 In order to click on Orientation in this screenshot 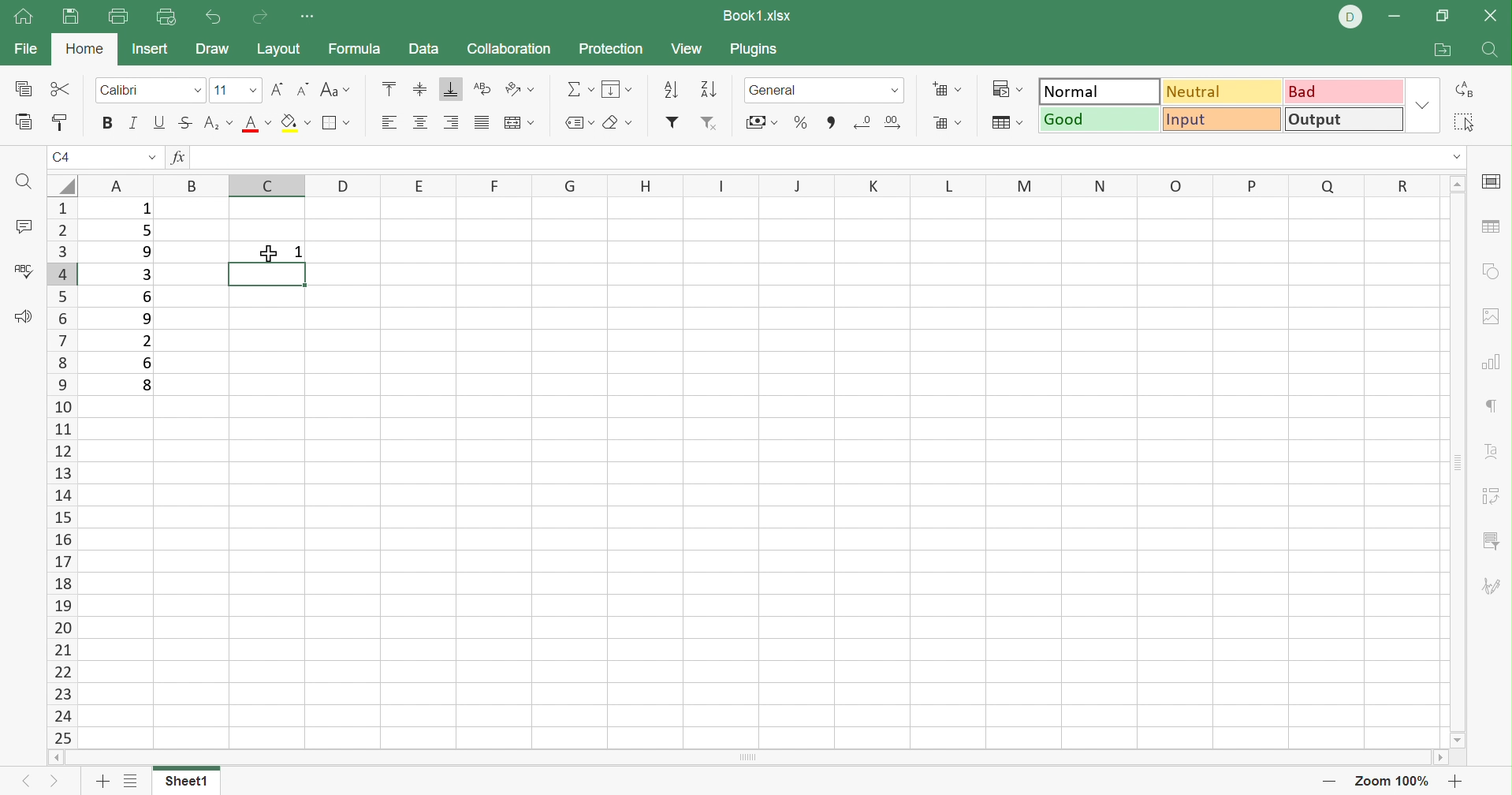, I will do `click(520, 89)`.